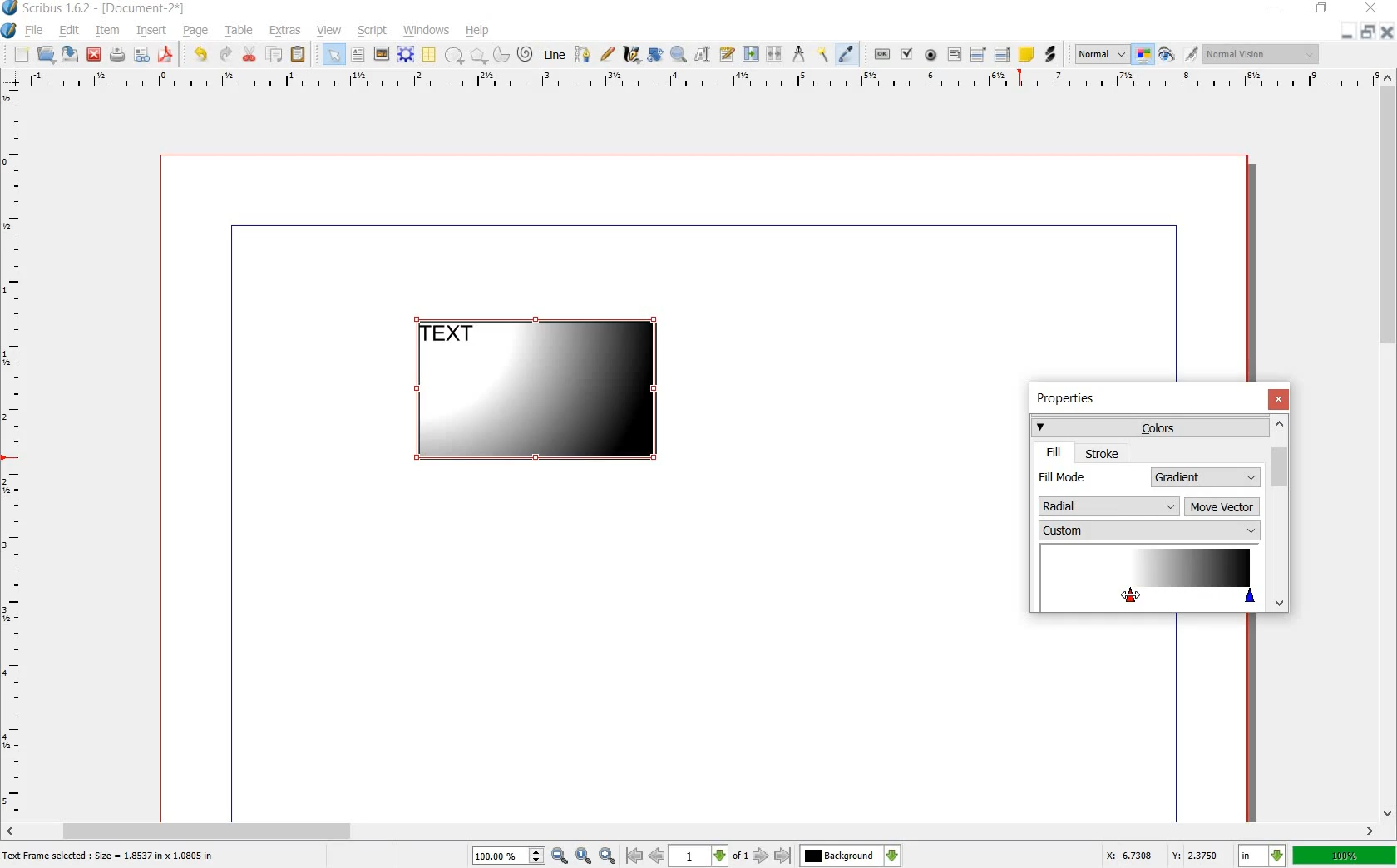 This screenshot has width=1397, height=868. I want to click on logo, so click(11, 9).